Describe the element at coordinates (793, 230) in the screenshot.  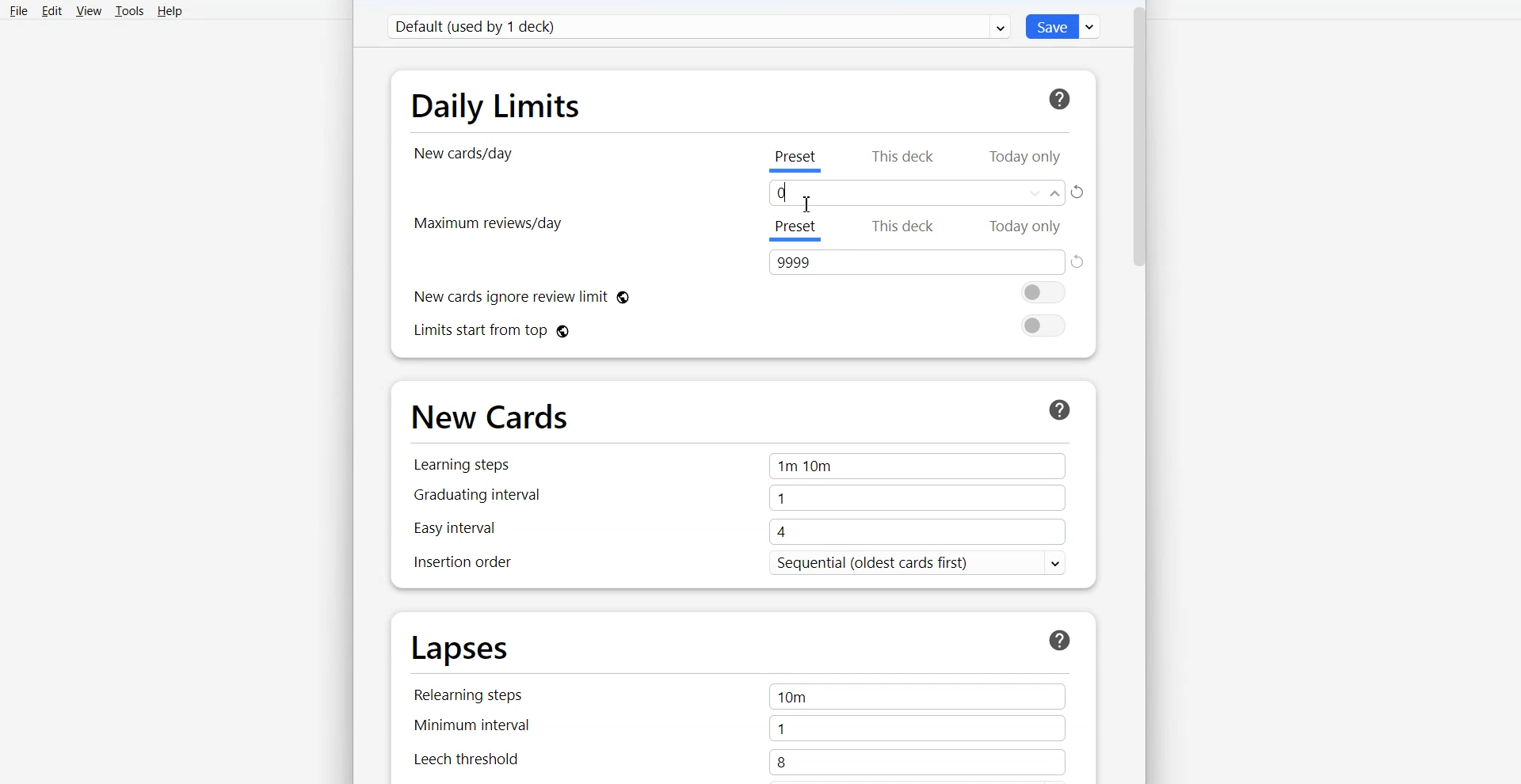
I see `Preset` at that location.